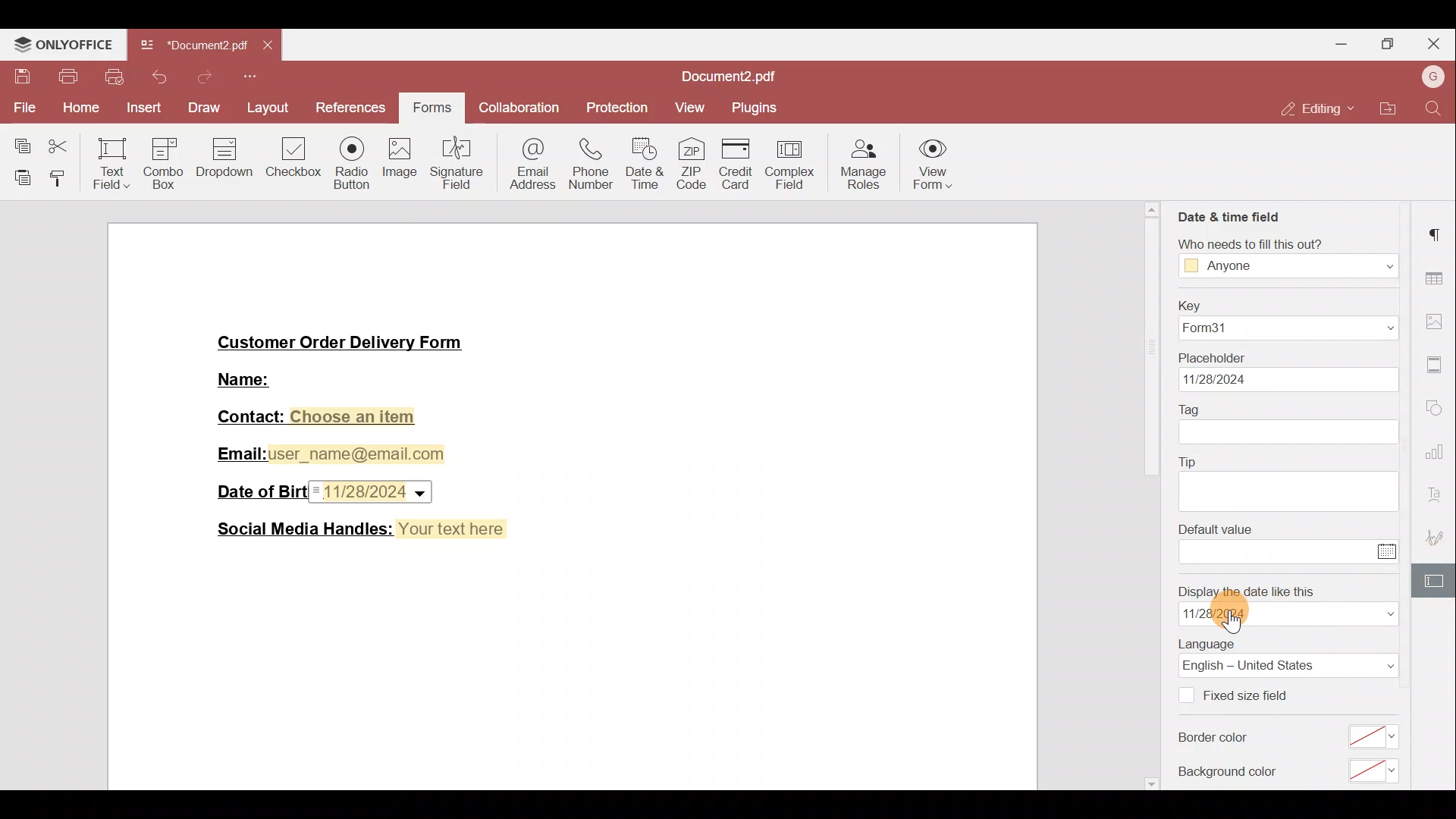 This screenshot has width=1456, height=819. I want to click on References, so click(354, 108).